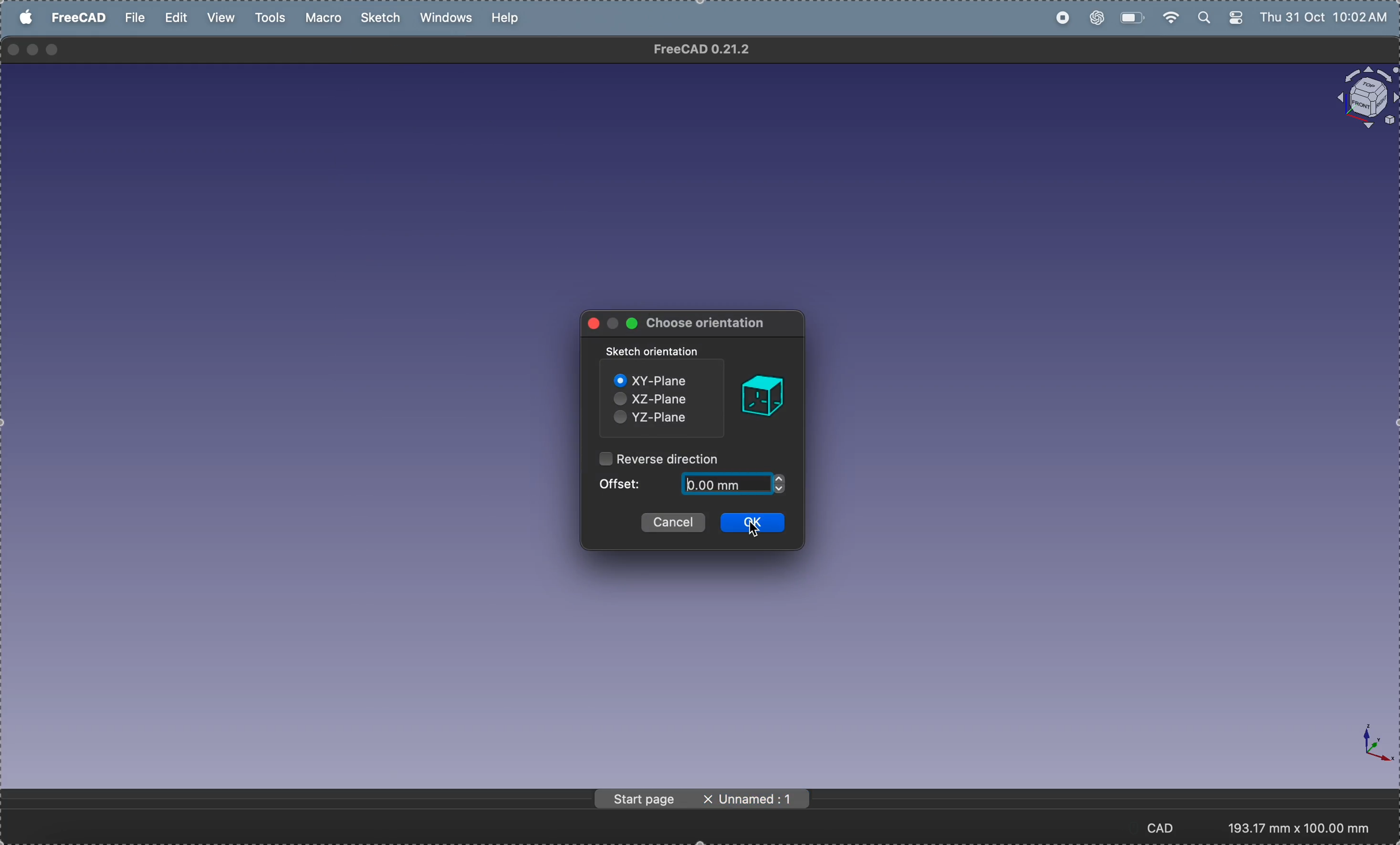 The image size is (1400, 845). I want to click on apple menu, so click(27, 17).